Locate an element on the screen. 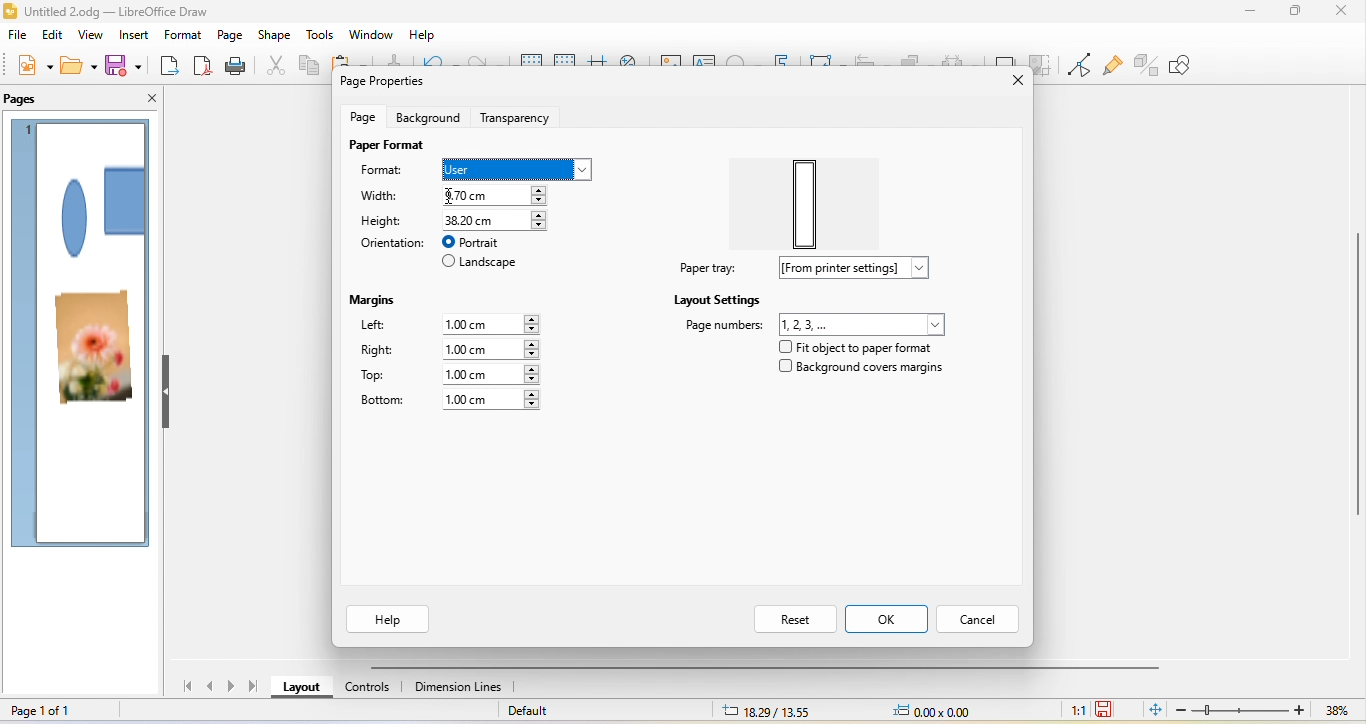 The height and width of the screenshot is (724, 1366). shape is located at coordinates (277, 35).